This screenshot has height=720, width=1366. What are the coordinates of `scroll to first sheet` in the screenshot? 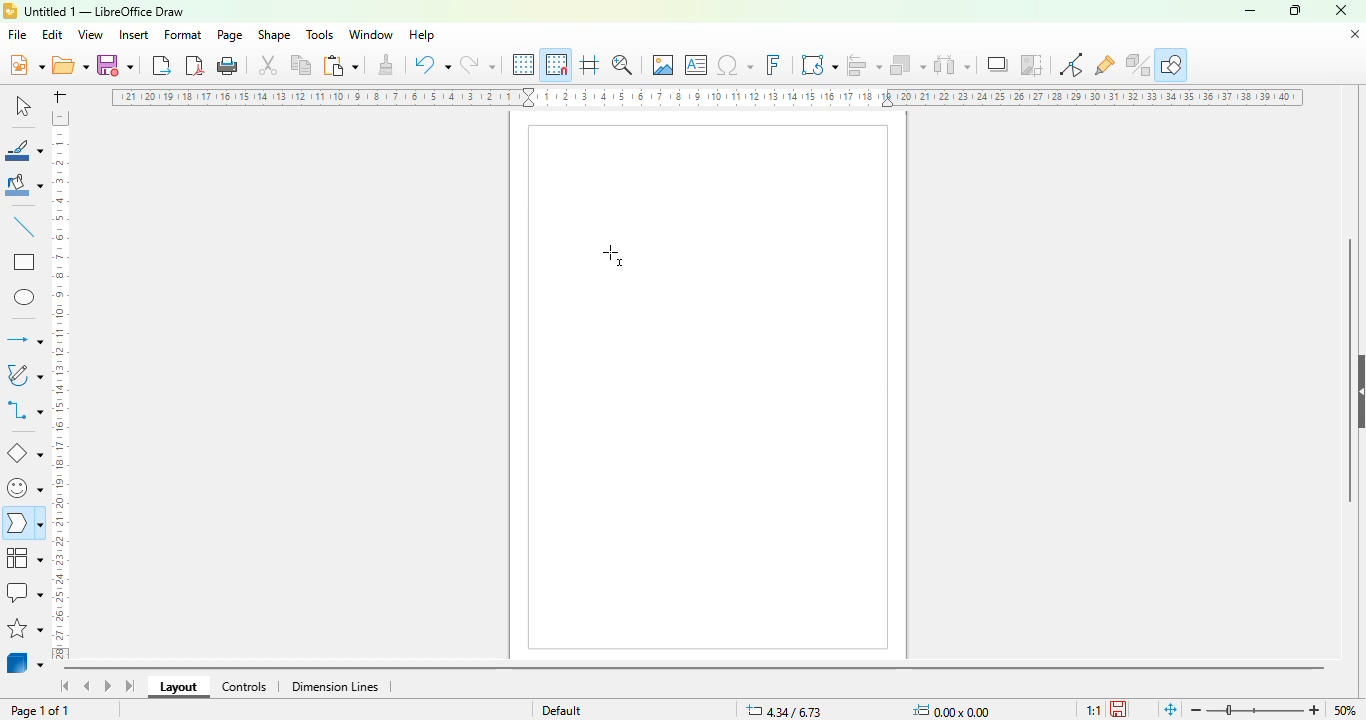 It's located at (66, 686).